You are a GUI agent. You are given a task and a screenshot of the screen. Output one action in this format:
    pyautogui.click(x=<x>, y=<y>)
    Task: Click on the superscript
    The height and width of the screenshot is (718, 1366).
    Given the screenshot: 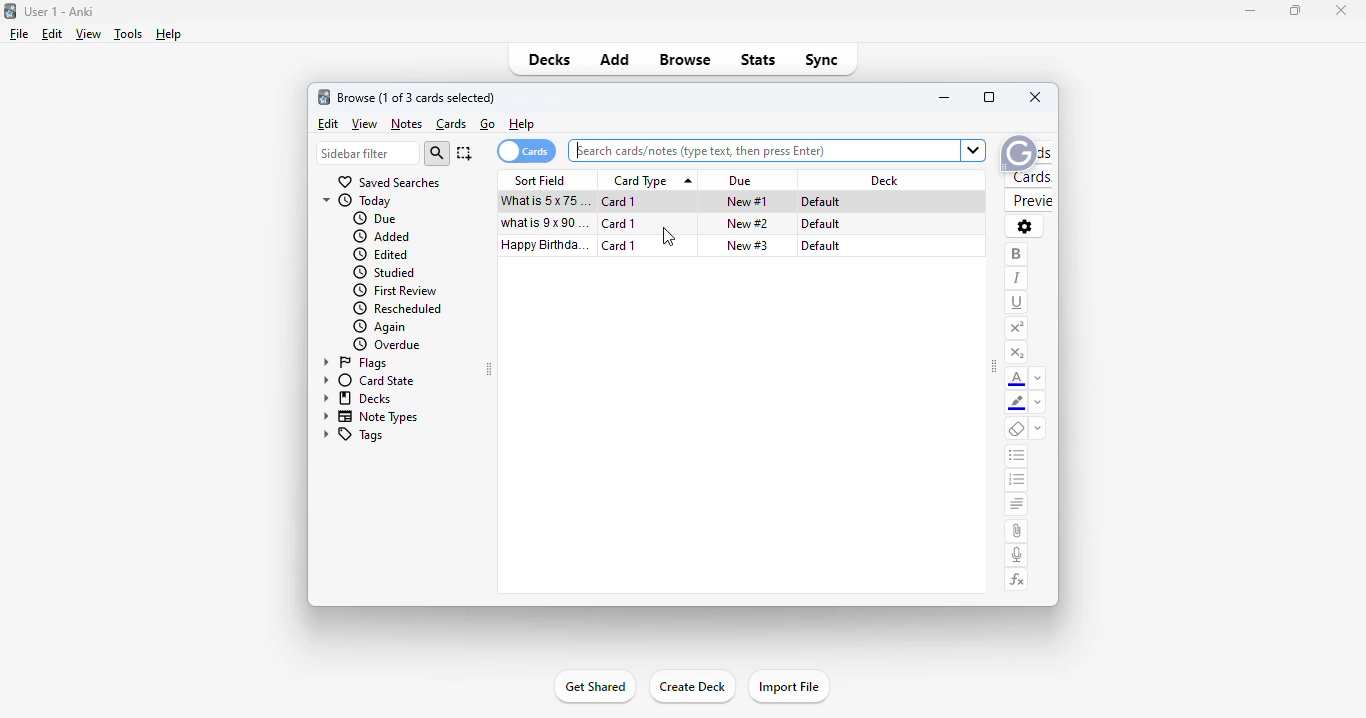 What is the action you would take?
    pyautogui.click(x=1017, y=328)
    